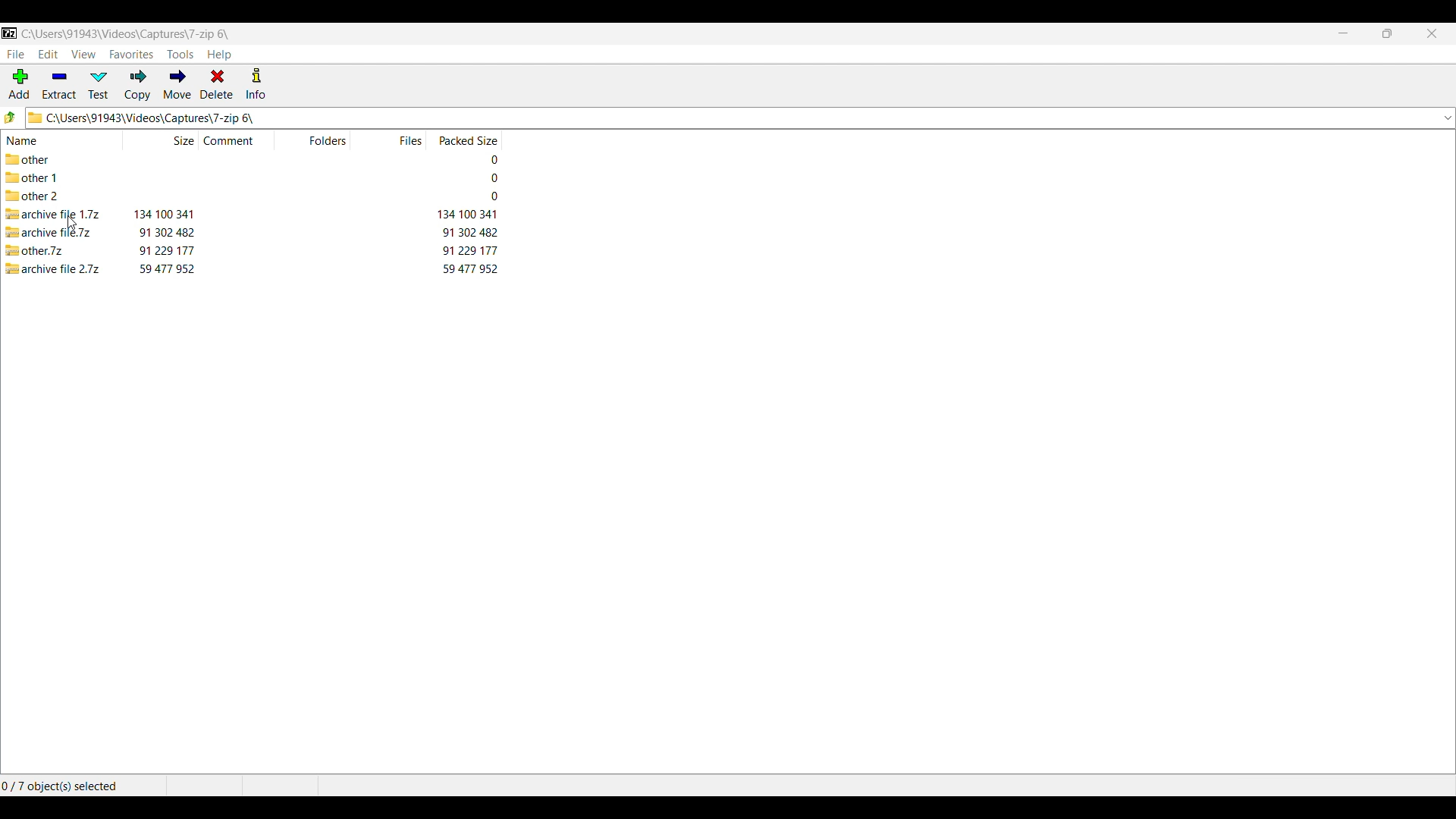  Describe the element at coordinates (52, 215) in the screenshot. I see `archive file 1.7z ` at that location.